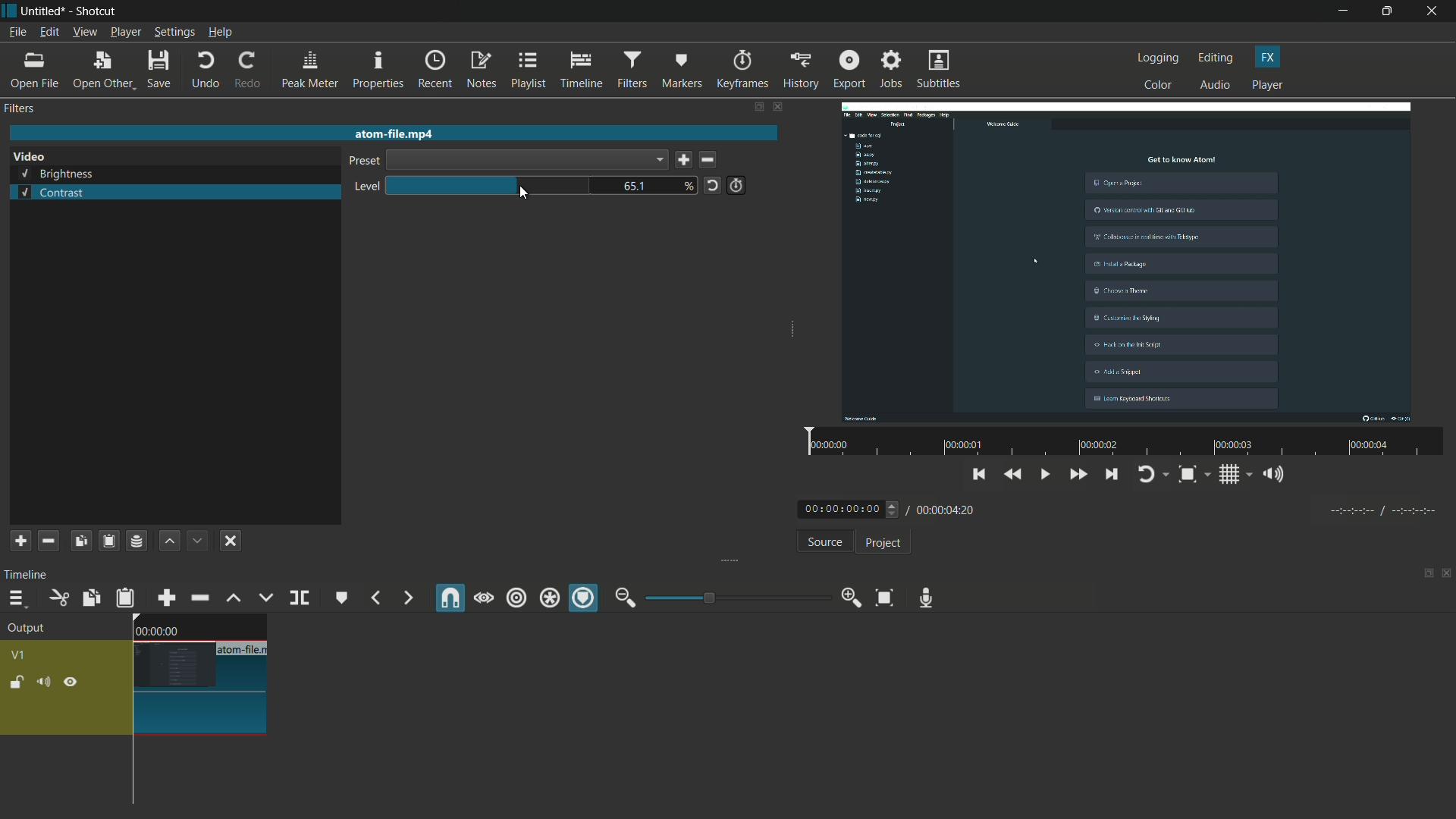 This screenshot has width=1456, height=819. Describe the element at coordinates (97, 12) in the screenshot. I see `Shotcut` at that location.